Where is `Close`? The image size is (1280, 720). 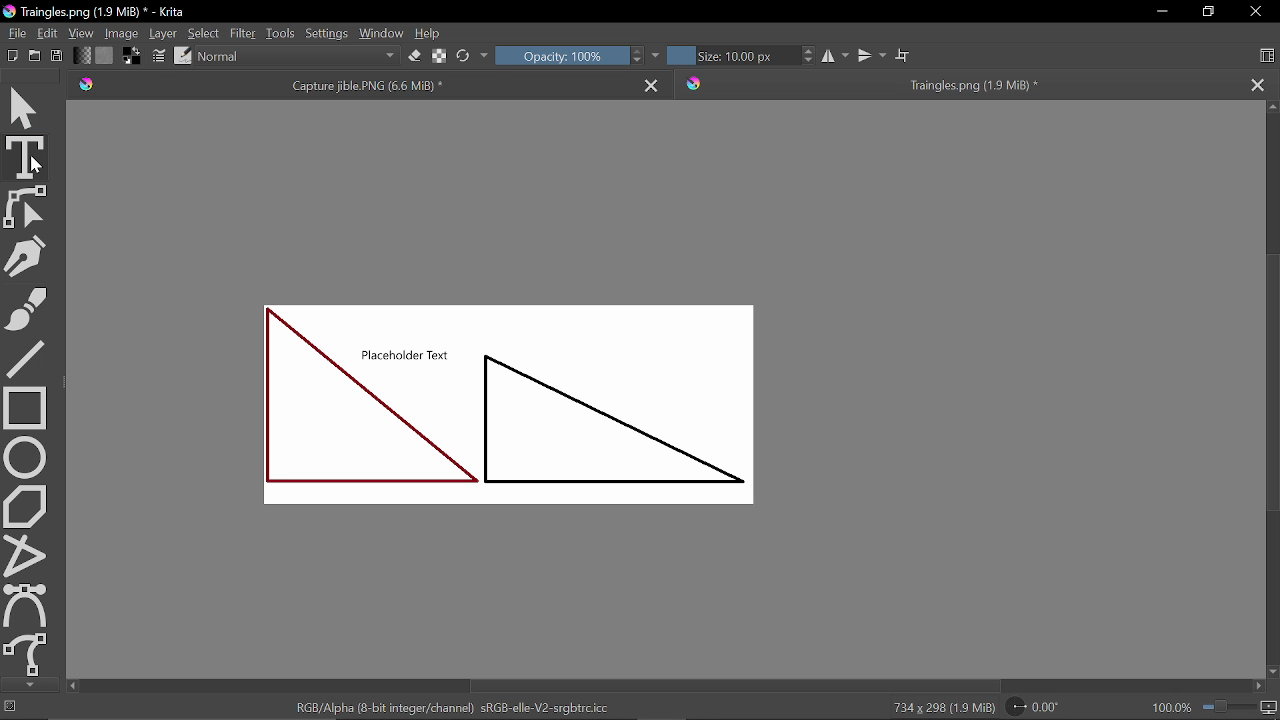 Close is located at coordinates (1256, 11).